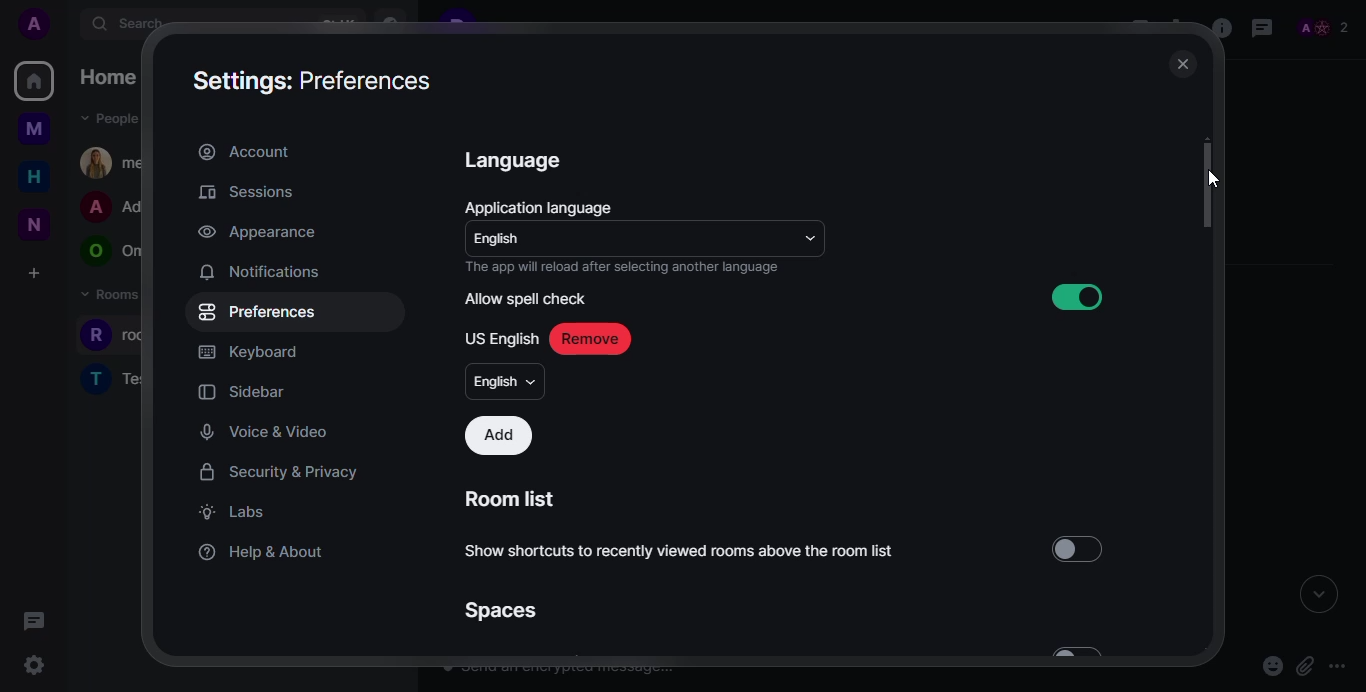 Image resolution: width=1366 pixels, height=692 pixels. Describe the element at coordinates (499, 436) in the screenshot. I see `add` at that location.